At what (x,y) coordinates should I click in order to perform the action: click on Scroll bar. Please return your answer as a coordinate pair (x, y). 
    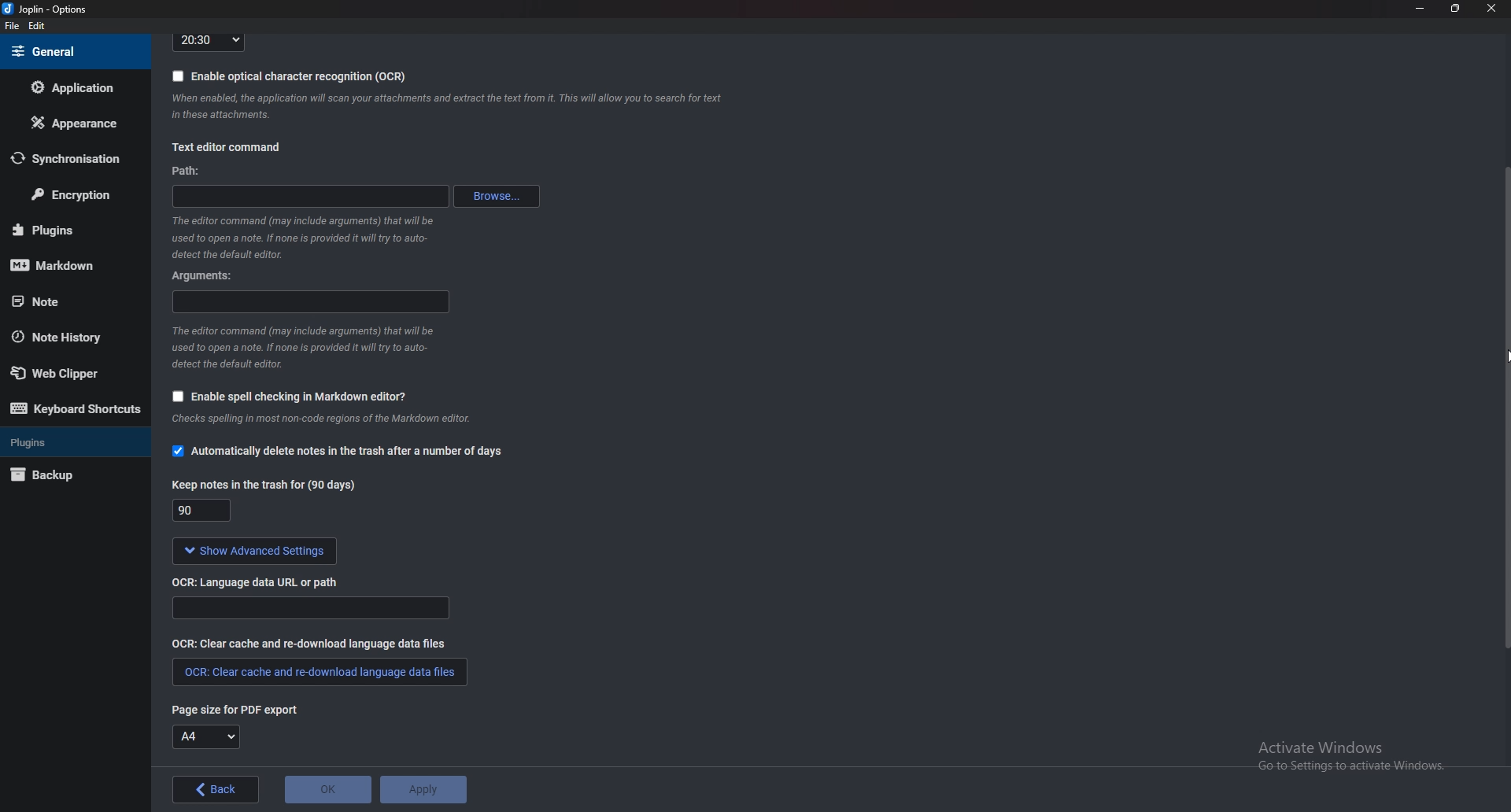
    Looking at the image, I should click on (1505, 405).